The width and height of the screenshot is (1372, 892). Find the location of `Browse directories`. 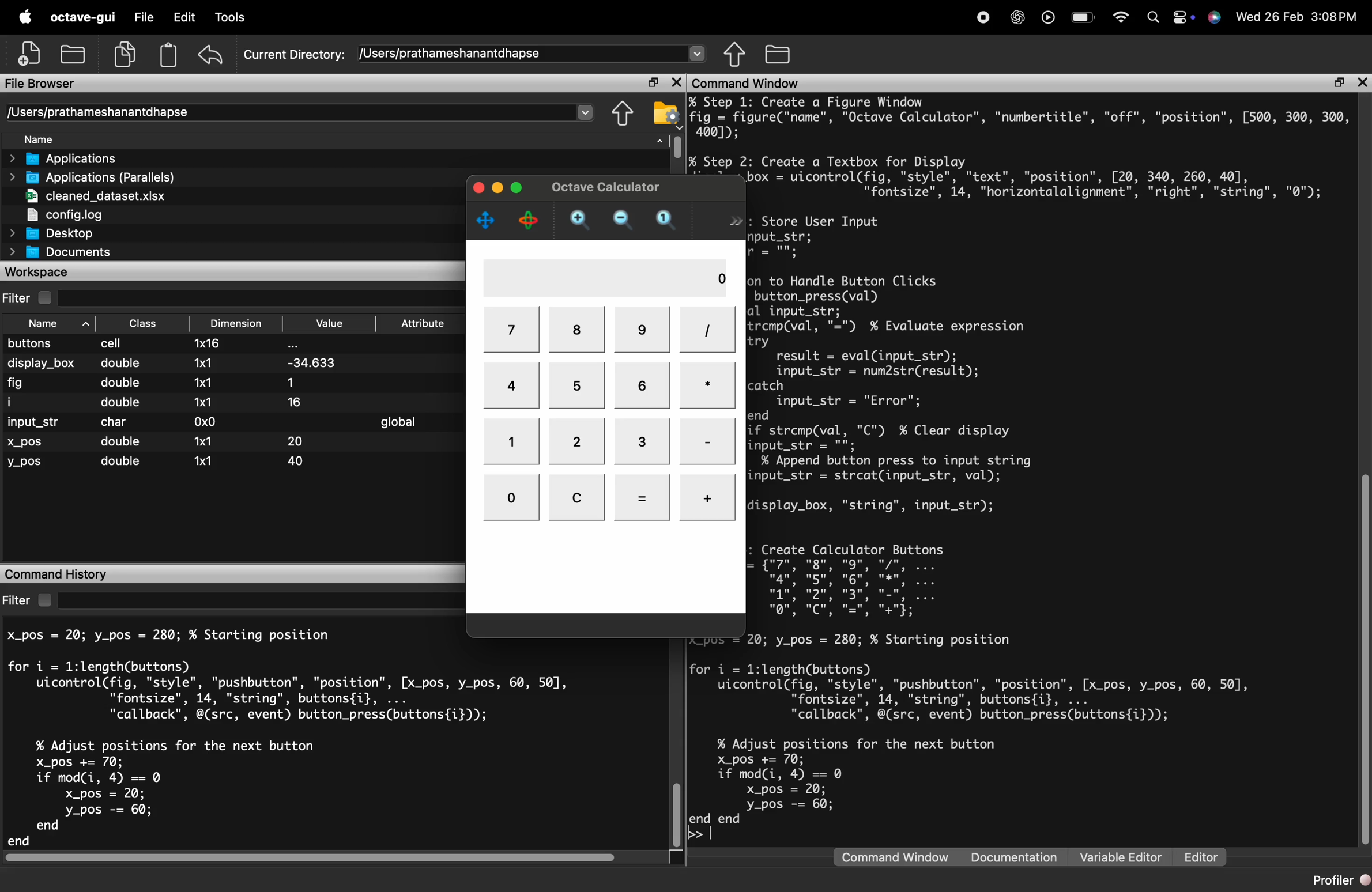

Browse directories is located at coordinates (733, 54).